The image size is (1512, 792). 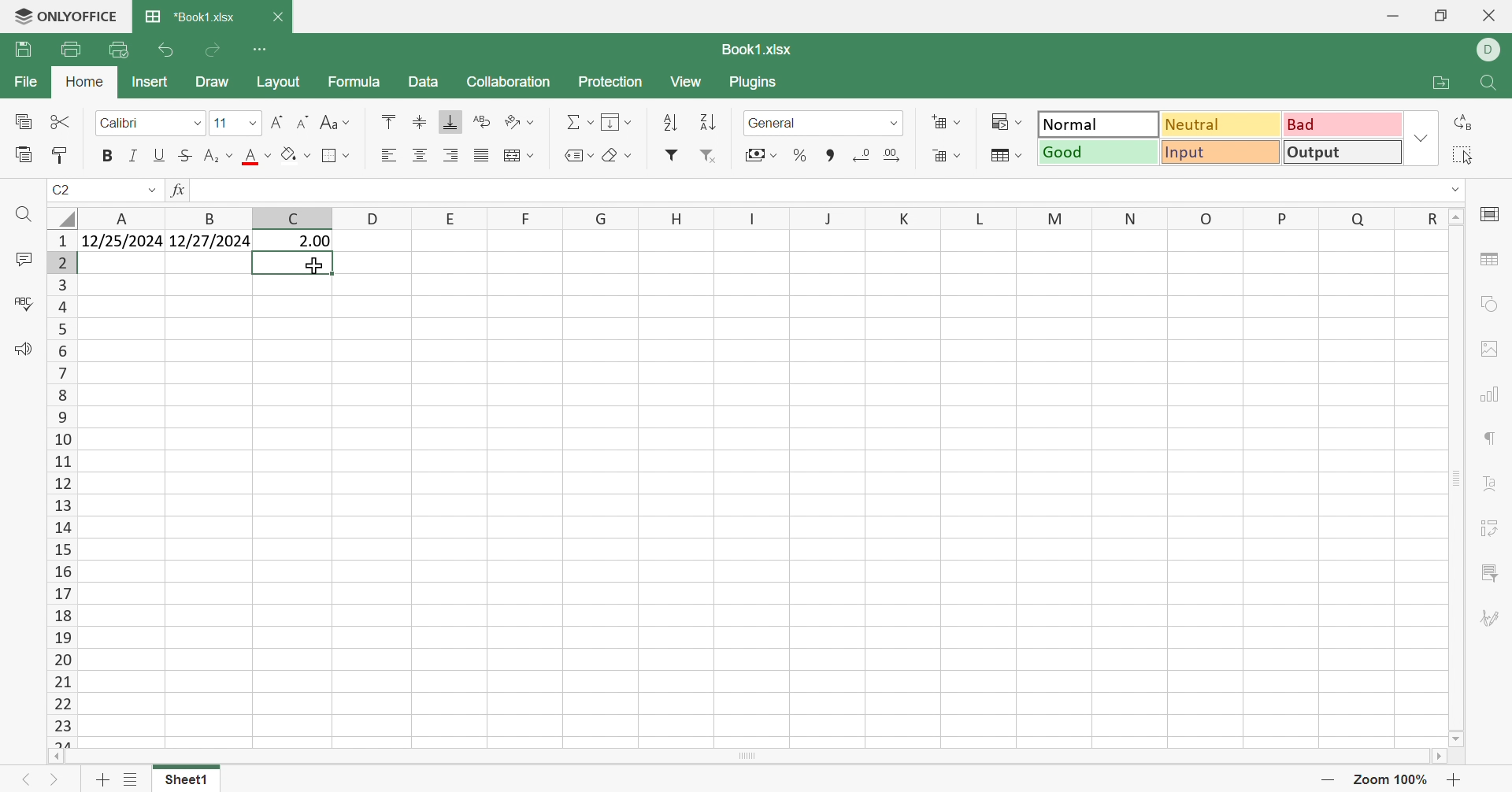 I want to click on Format table as template, so click(x=1004, y=157).